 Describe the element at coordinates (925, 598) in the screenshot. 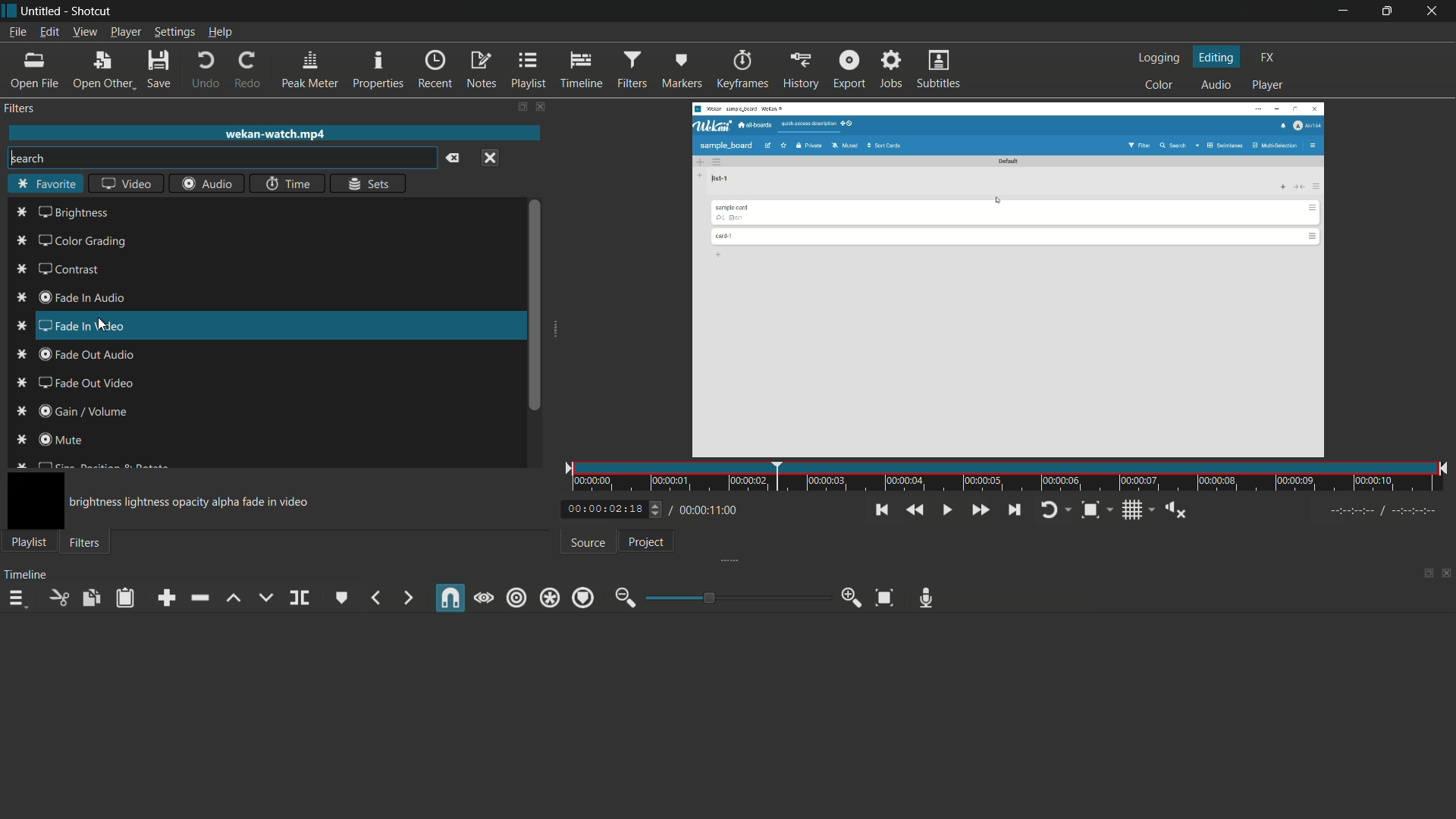

I see `record audio` at that location.